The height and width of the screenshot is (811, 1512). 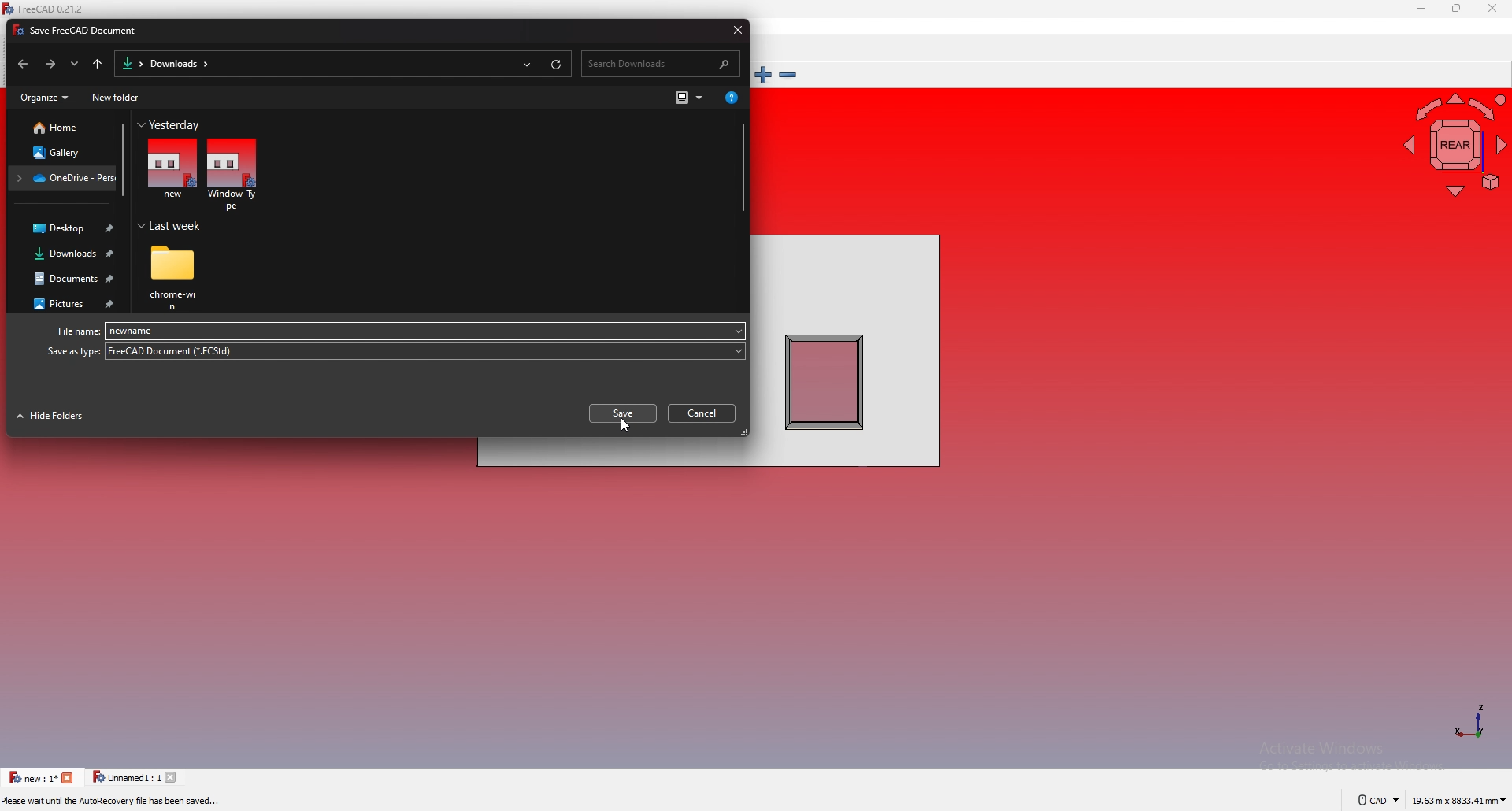 What do you see at coordinates (1455, 146) in the screenshot?
I see `navigating cube` at bounding box center [1455, 146].